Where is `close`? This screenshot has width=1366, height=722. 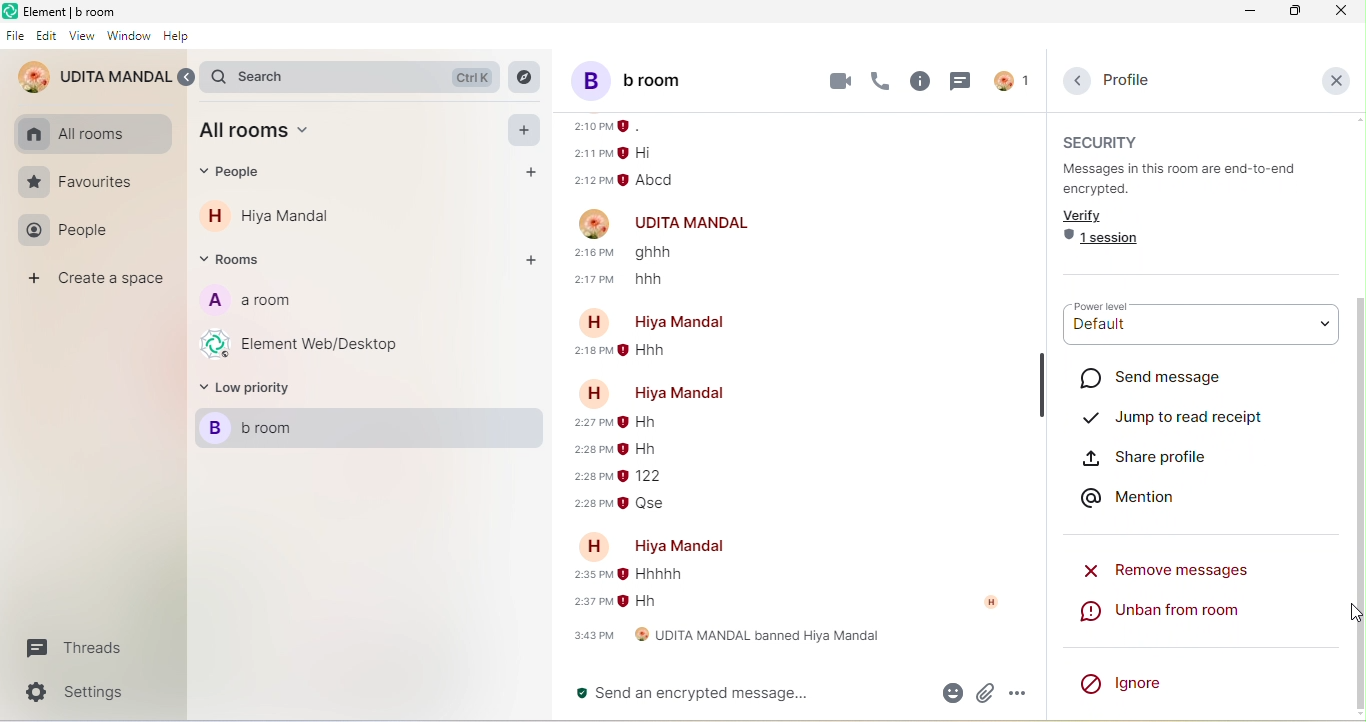 close is located at coordinates (1340, 11).